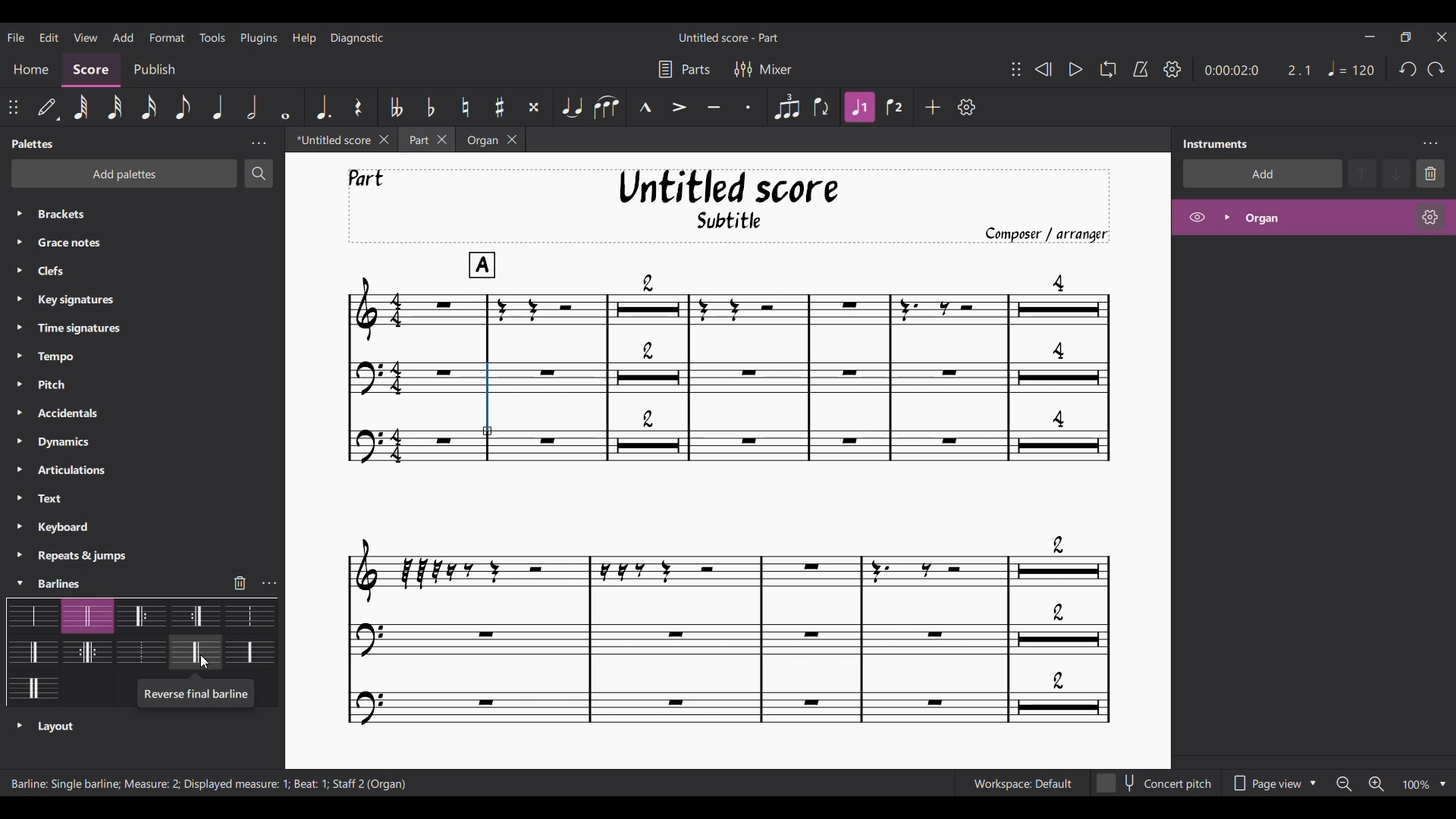 This screenshot has width=1456, height=819. What do you see at coordinates (259, 37) in the screenshot?
I see `Plugins menu` at bounding box center [259, 37].